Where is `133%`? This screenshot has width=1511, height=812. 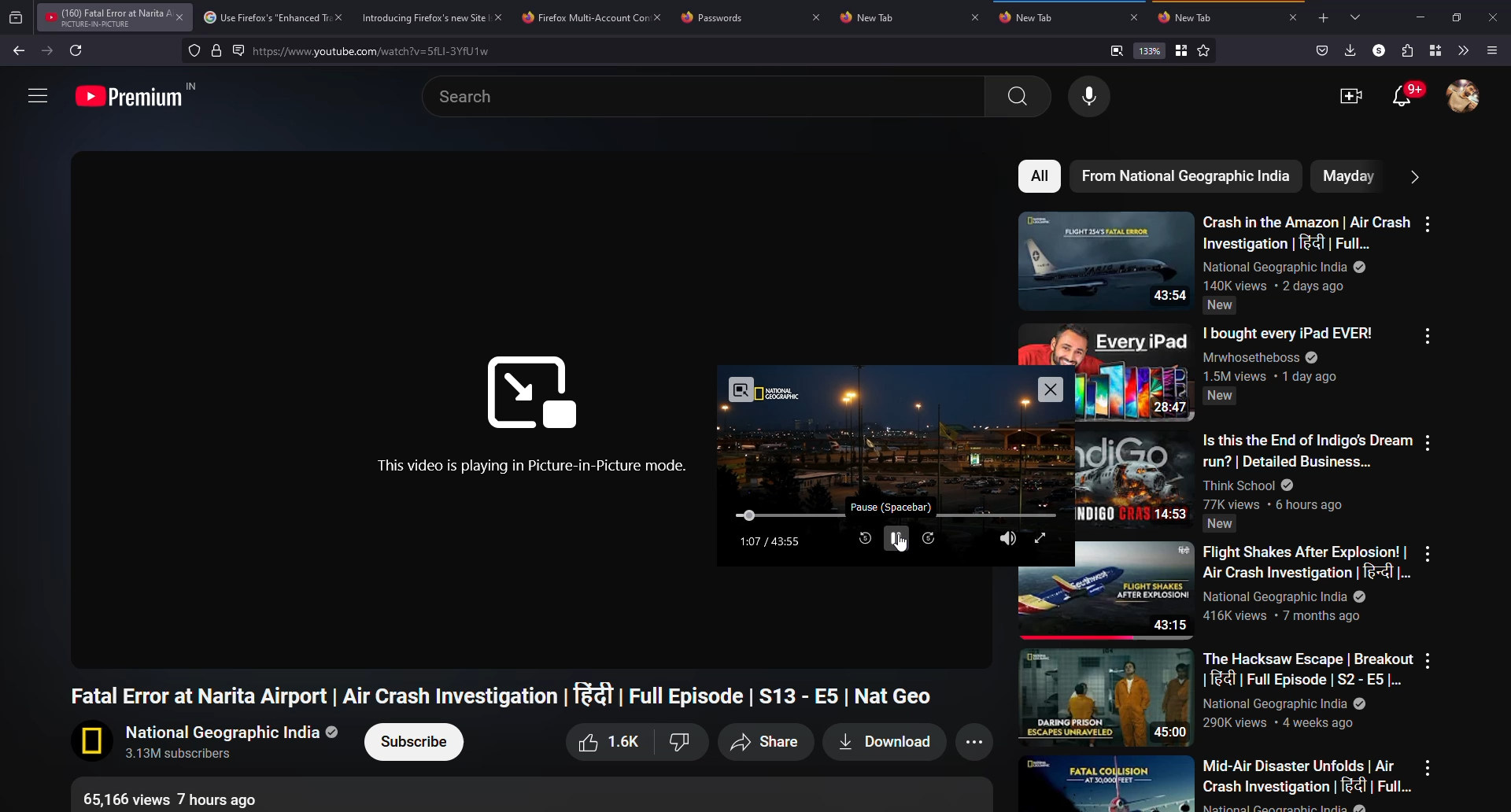 133% is located at coordinates (1150, 50).